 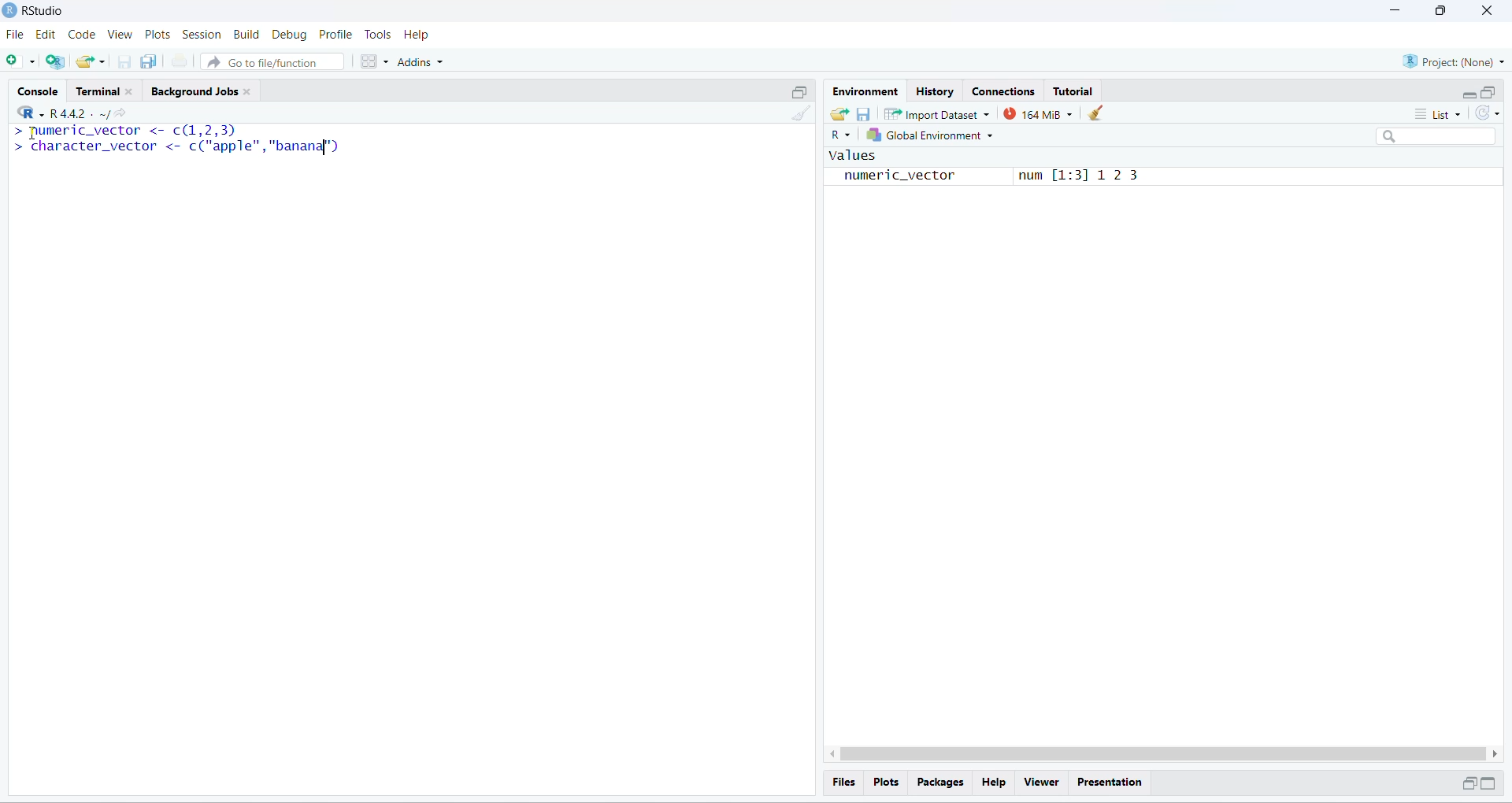 What do you see at coordinates (804, 114) in the screenshot?
I see `clear console` at bounding box center [804, 114].